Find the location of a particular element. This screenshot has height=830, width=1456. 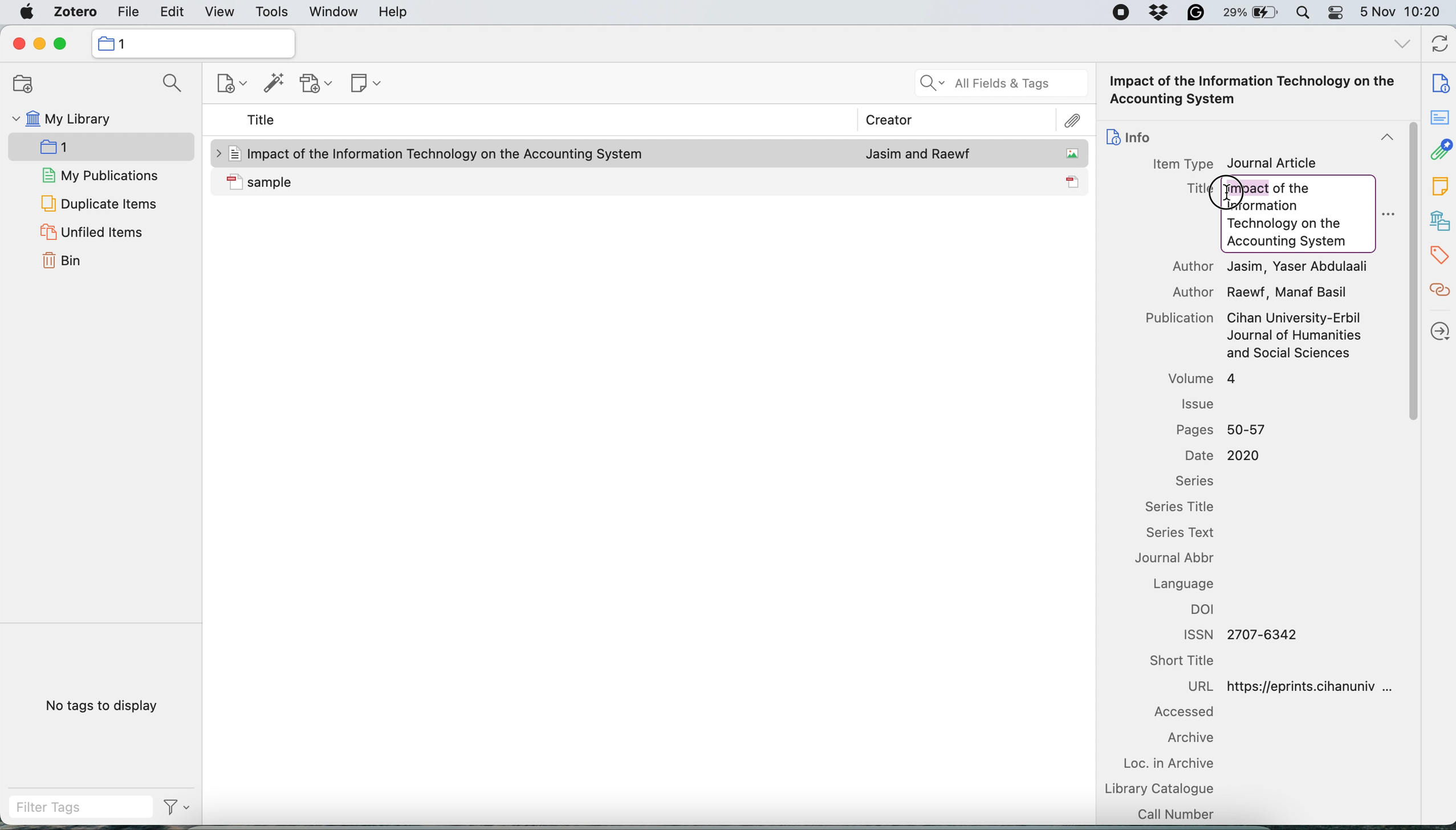

issue is located at coordinates (1198, 404).